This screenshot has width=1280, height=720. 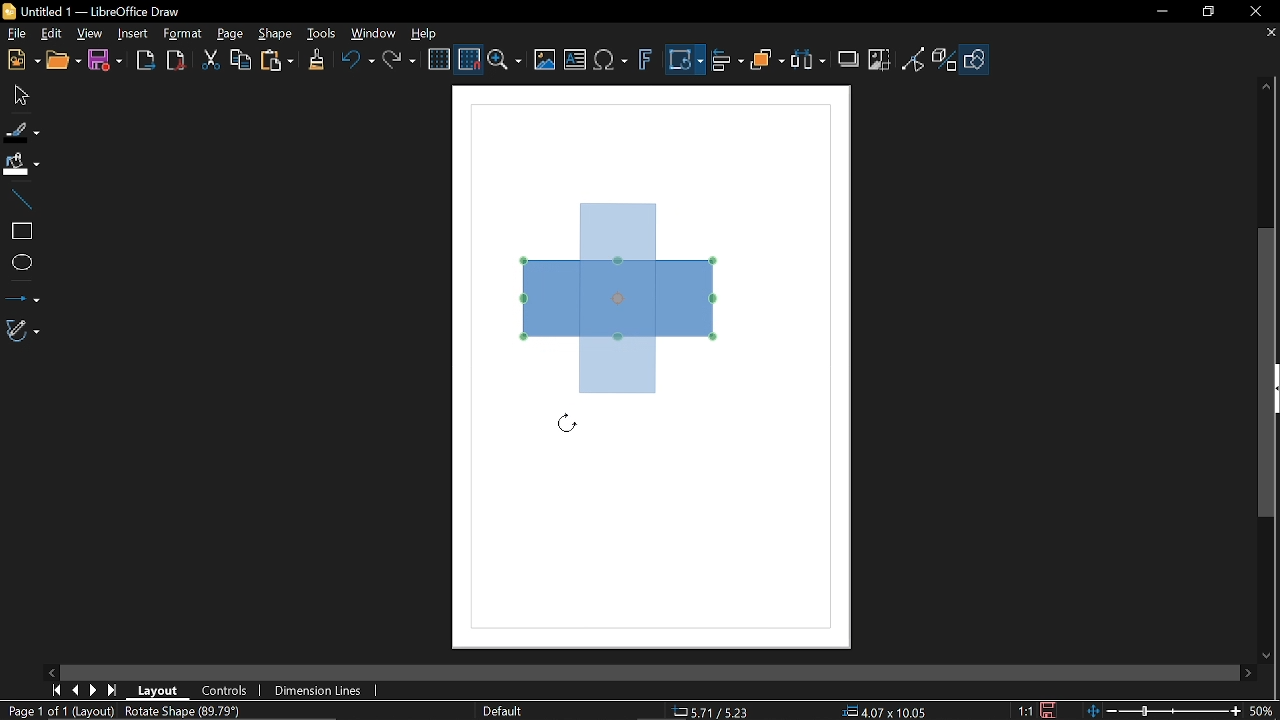 What do you see at coordinates (23, 330) in the screenshot?
I see `Curves and polygons` at bounding box center [23, 330].